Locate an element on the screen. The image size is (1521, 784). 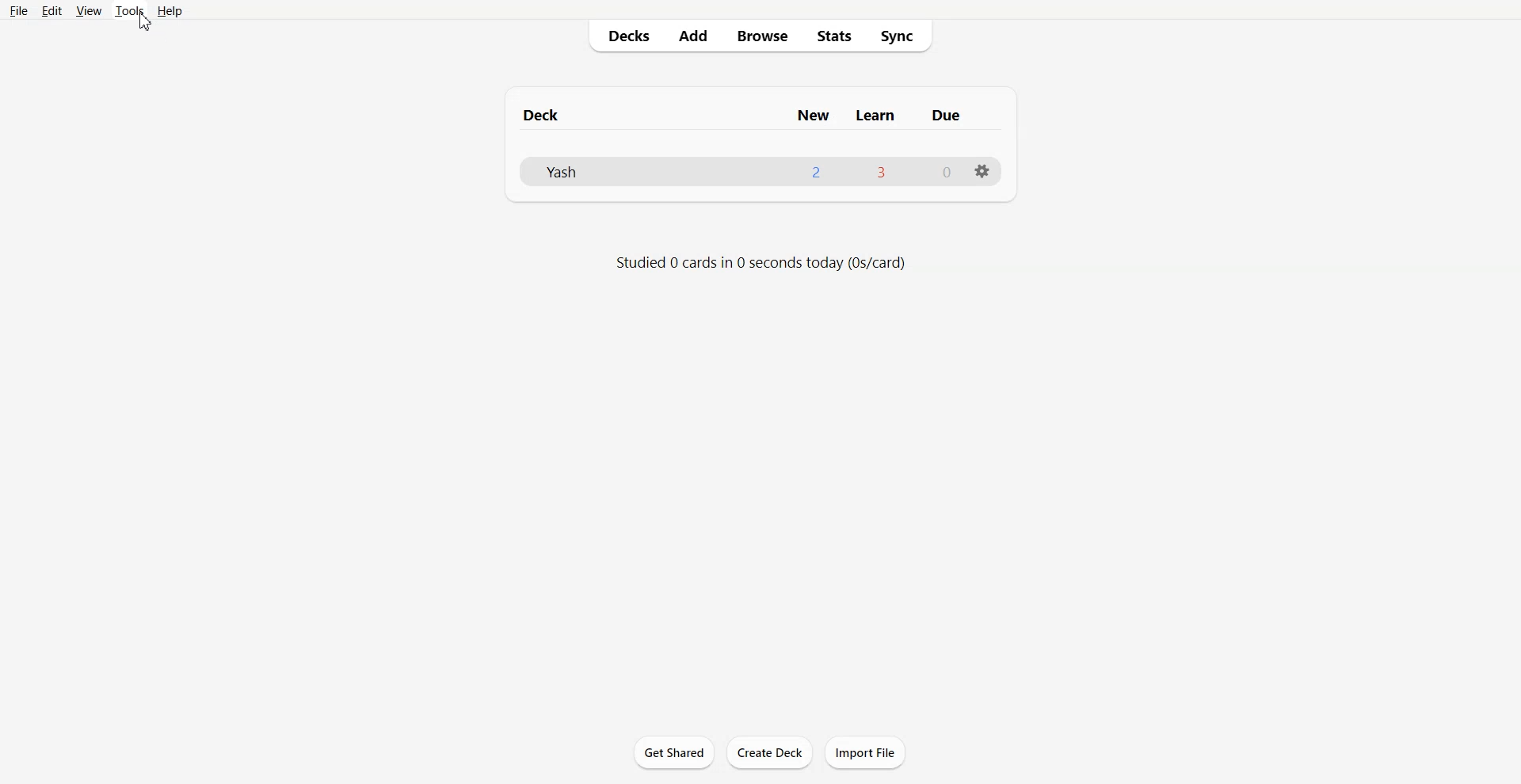
View is located at coordinates (87, 10).